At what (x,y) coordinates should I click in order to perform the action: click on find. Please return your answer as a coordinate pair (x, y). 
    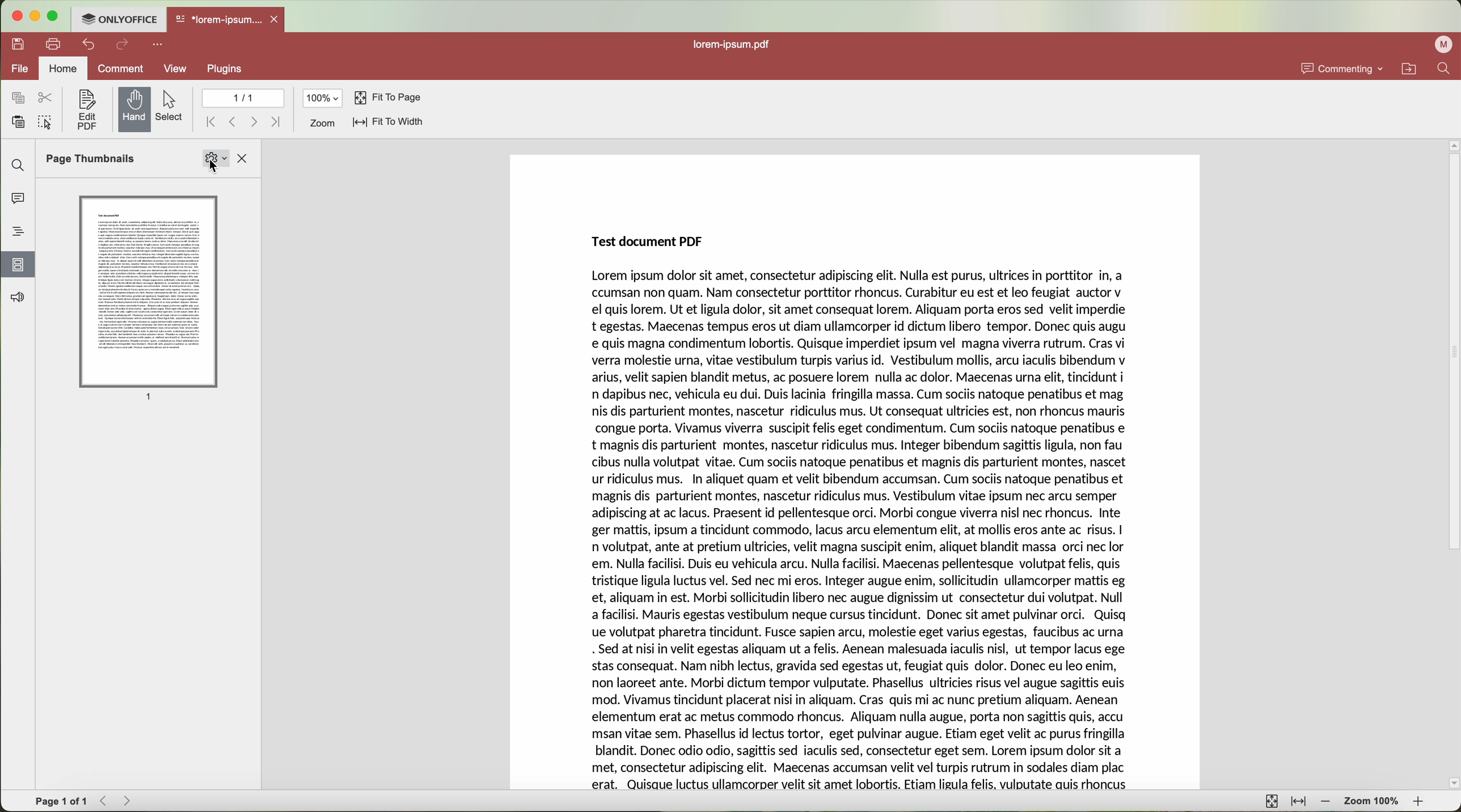
    Looking at the image, I should click on (16, 165).